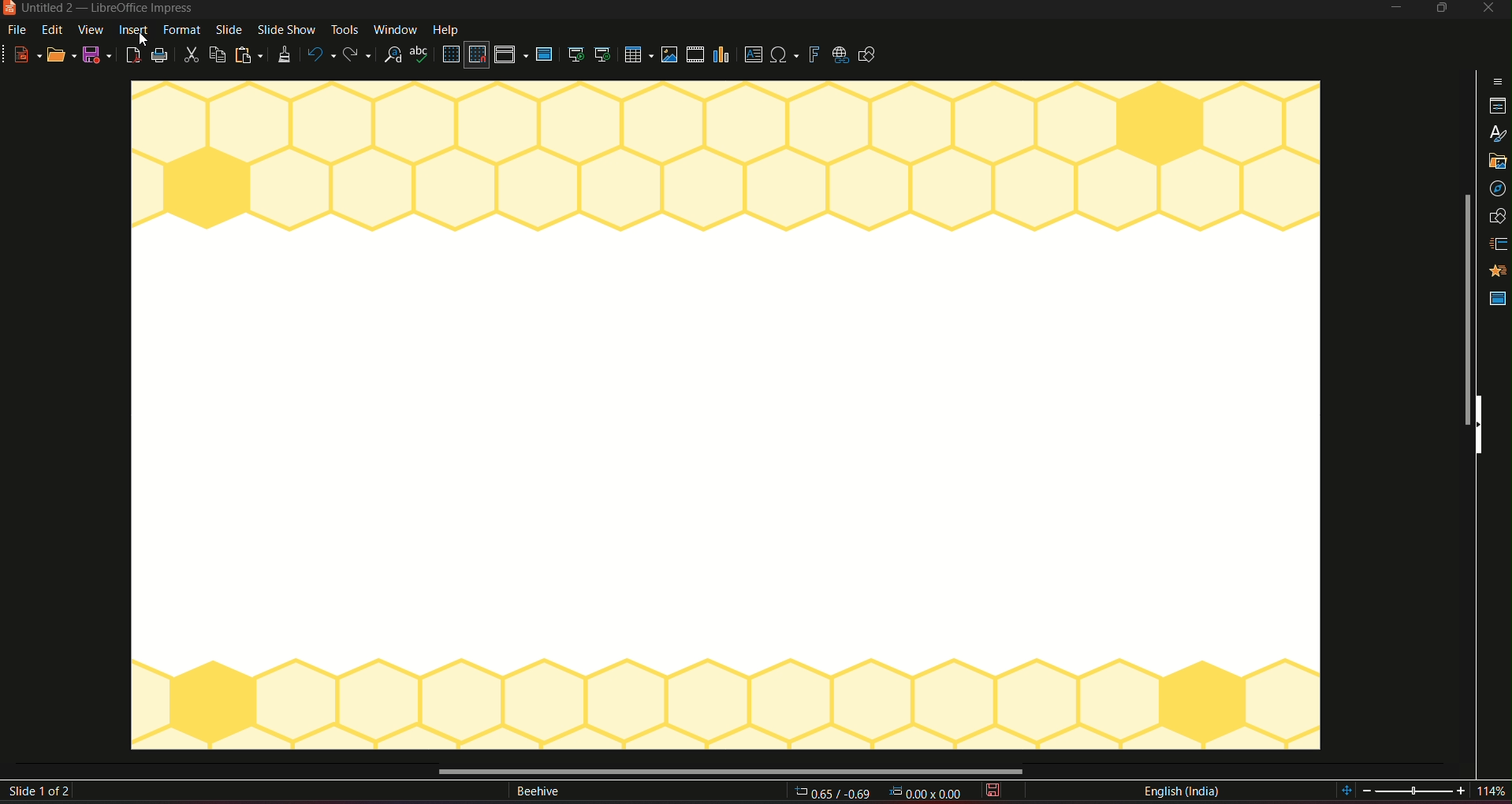 The height and width of the screenshot is (804, 1512). Describe the element at coordinates (344, 31) in the screenshot. I see `tools` at that location.